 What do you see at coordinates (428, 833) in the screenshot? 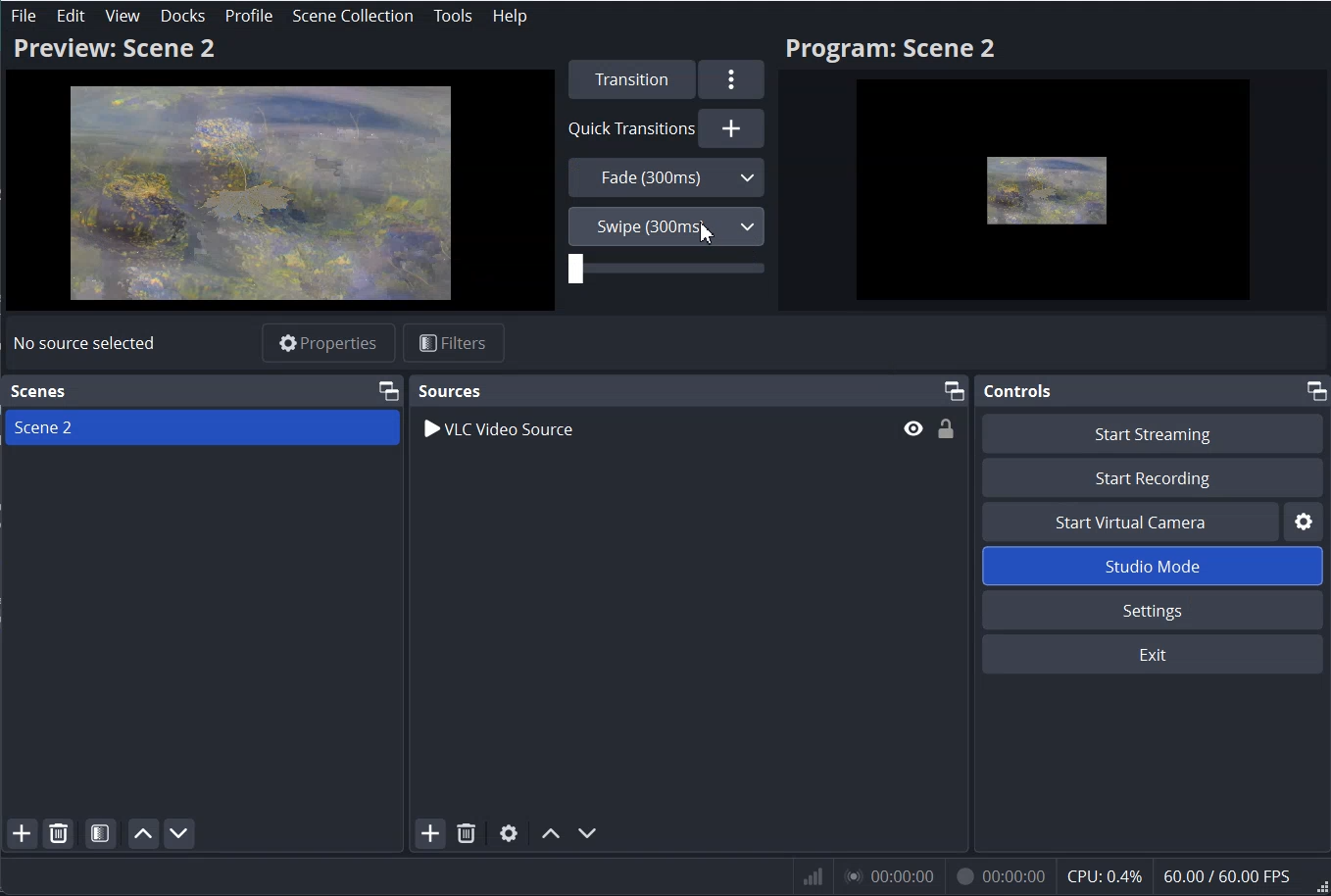
I see `Add Source` at bounding box center [428, 833].